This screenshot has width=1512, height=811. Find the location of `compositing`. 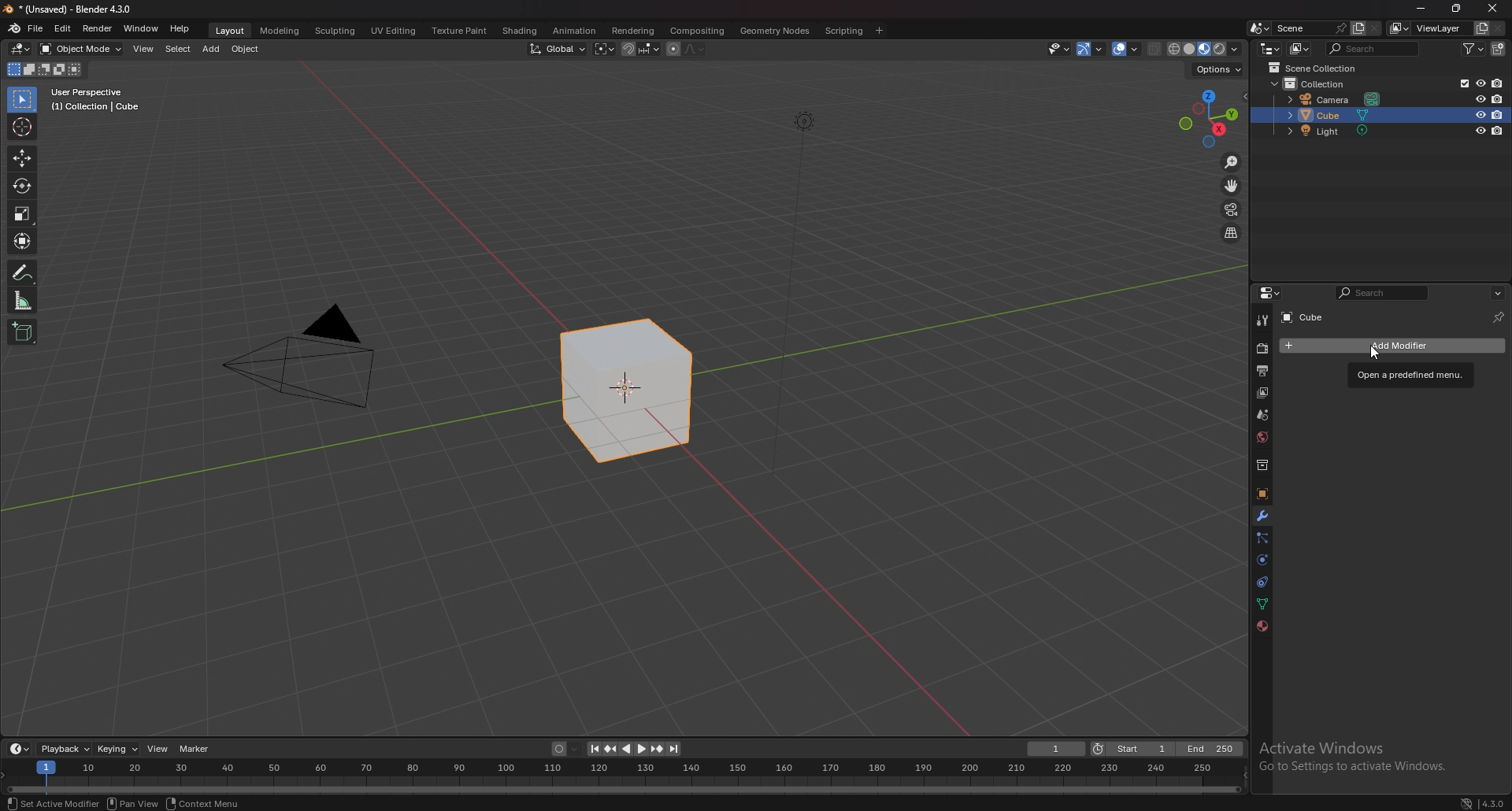

compositing is located at coordinates (699, 31).